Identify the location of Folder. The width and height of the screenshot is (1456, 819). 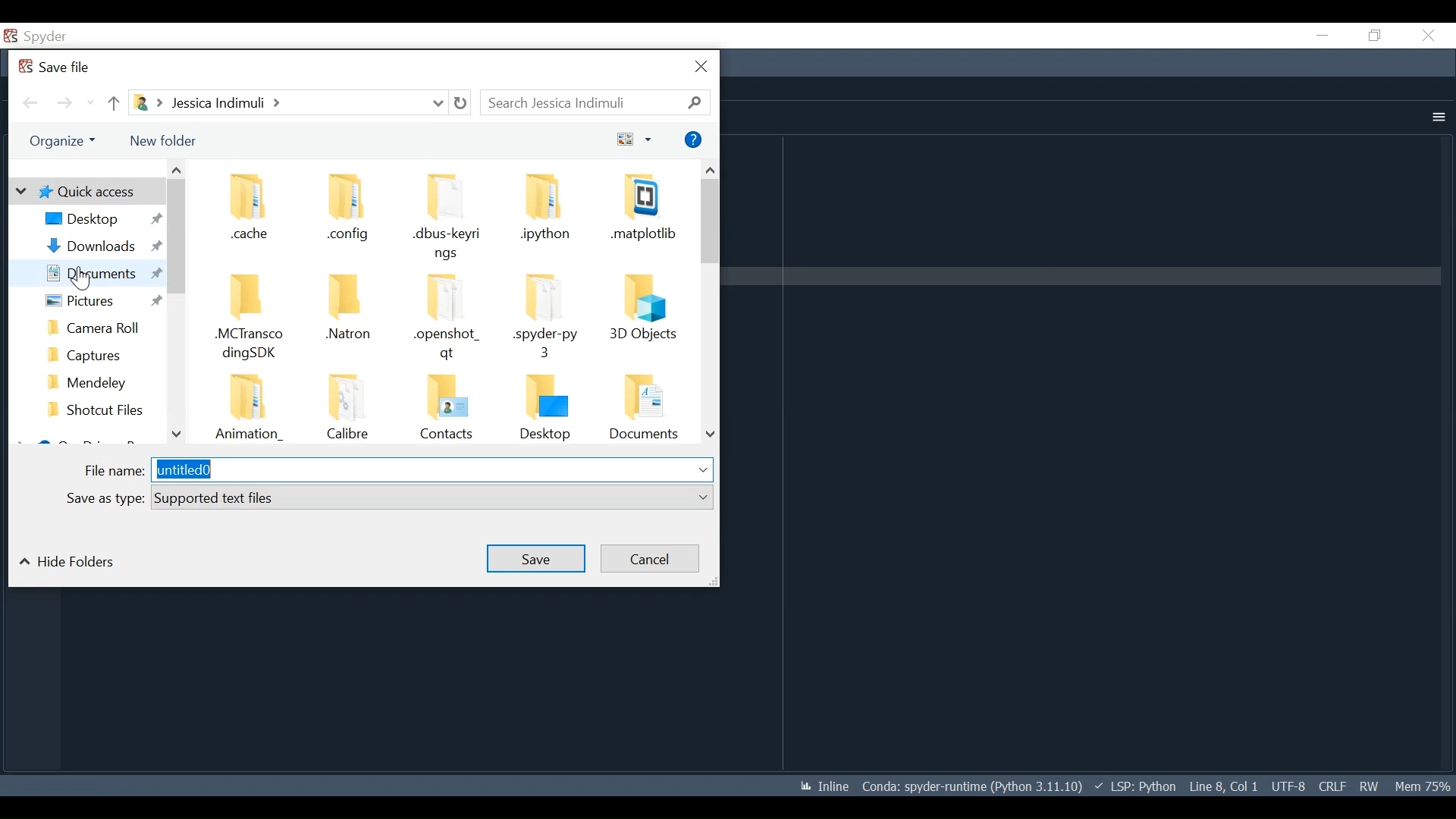
(344, 318).